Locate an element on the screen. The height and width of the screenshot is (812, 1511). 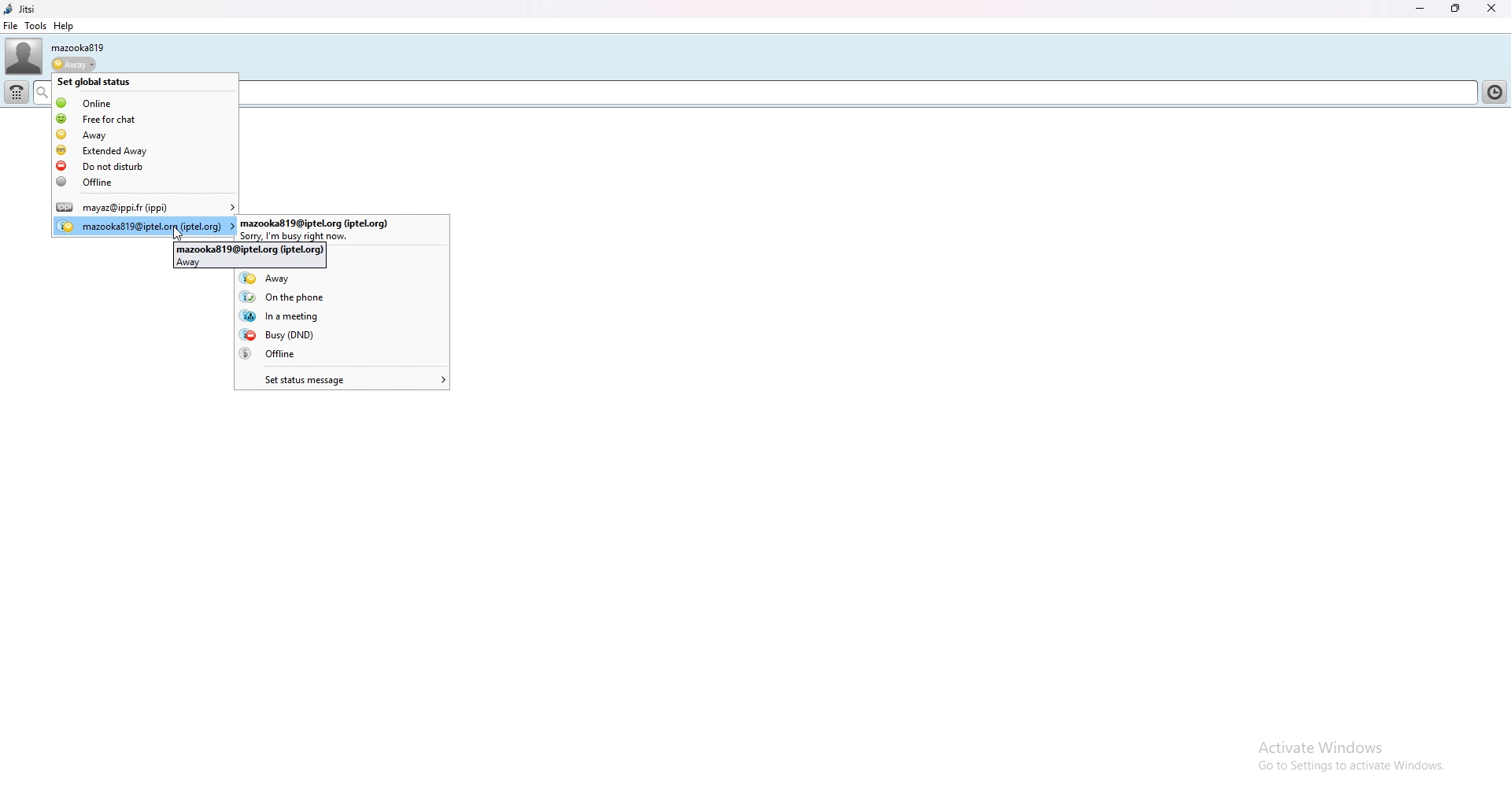
free for chat is located at coordinates (146, 119).